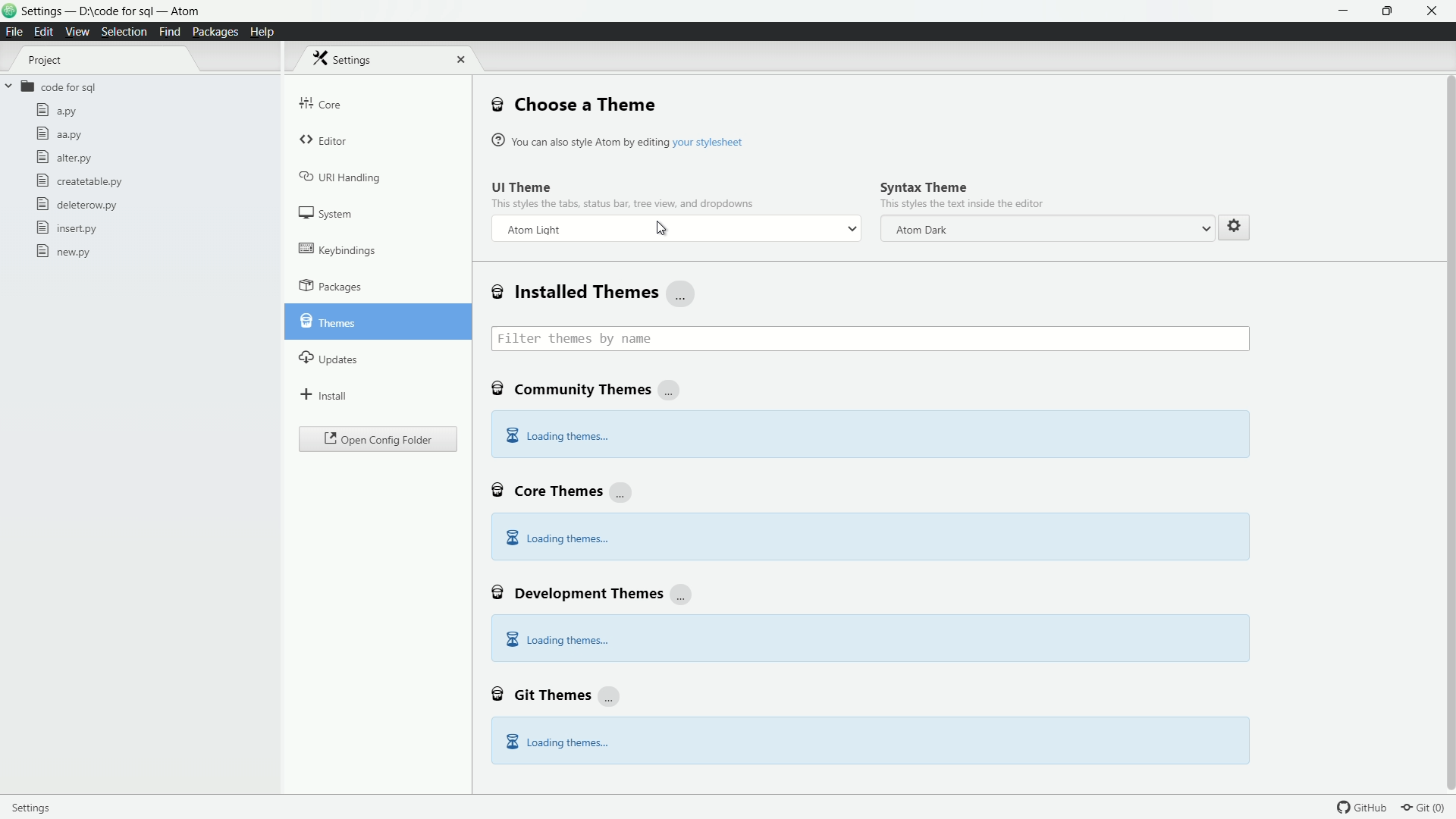 This screenshot has width=1456, height=819. Describe the element at coordinates (39, 806) in the screenshot. I see `settings ` at that location.